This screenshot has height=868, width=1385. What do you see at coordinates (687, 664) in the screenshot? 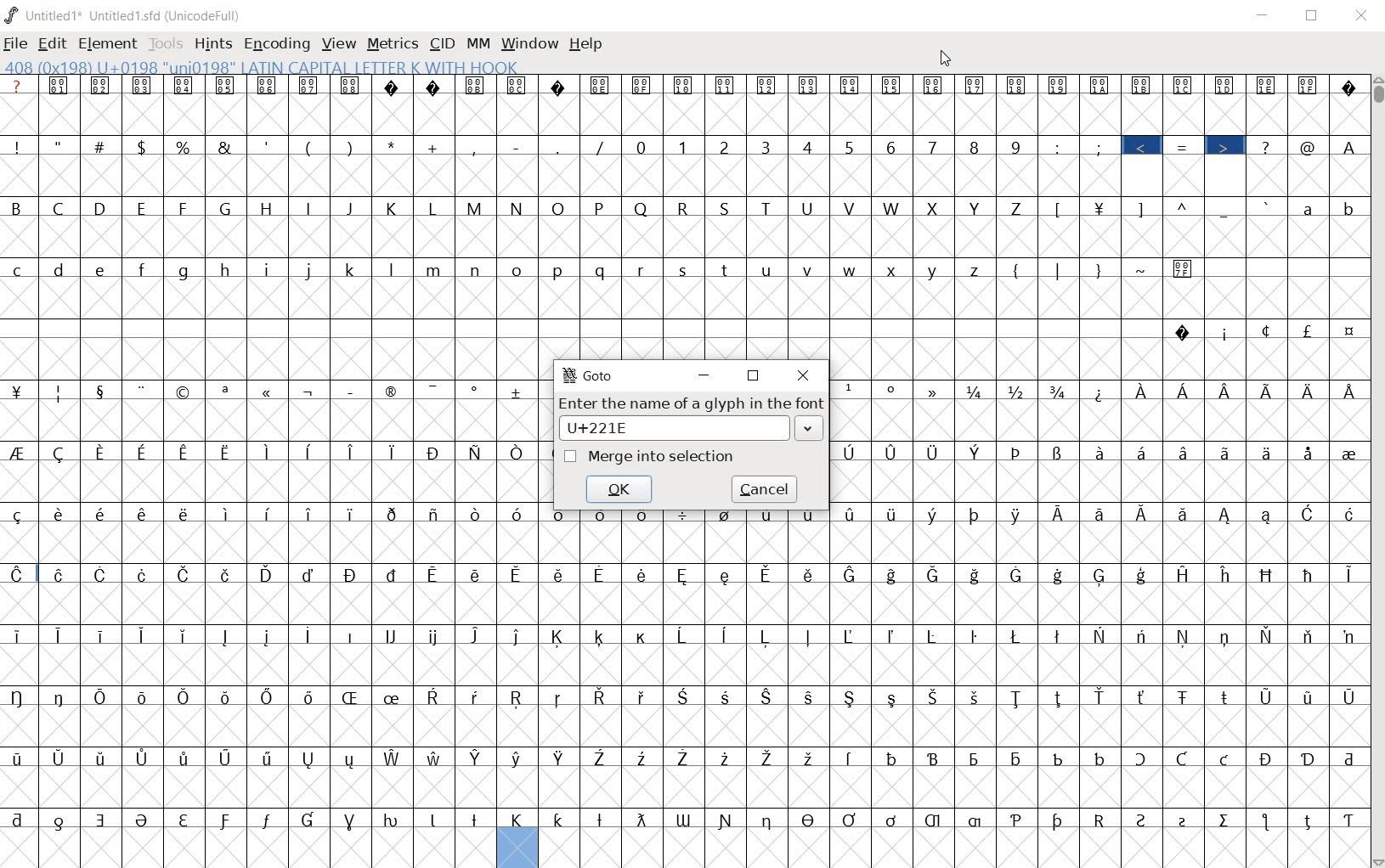
I see `empty glyph slots` at bounding box center [687, 664].